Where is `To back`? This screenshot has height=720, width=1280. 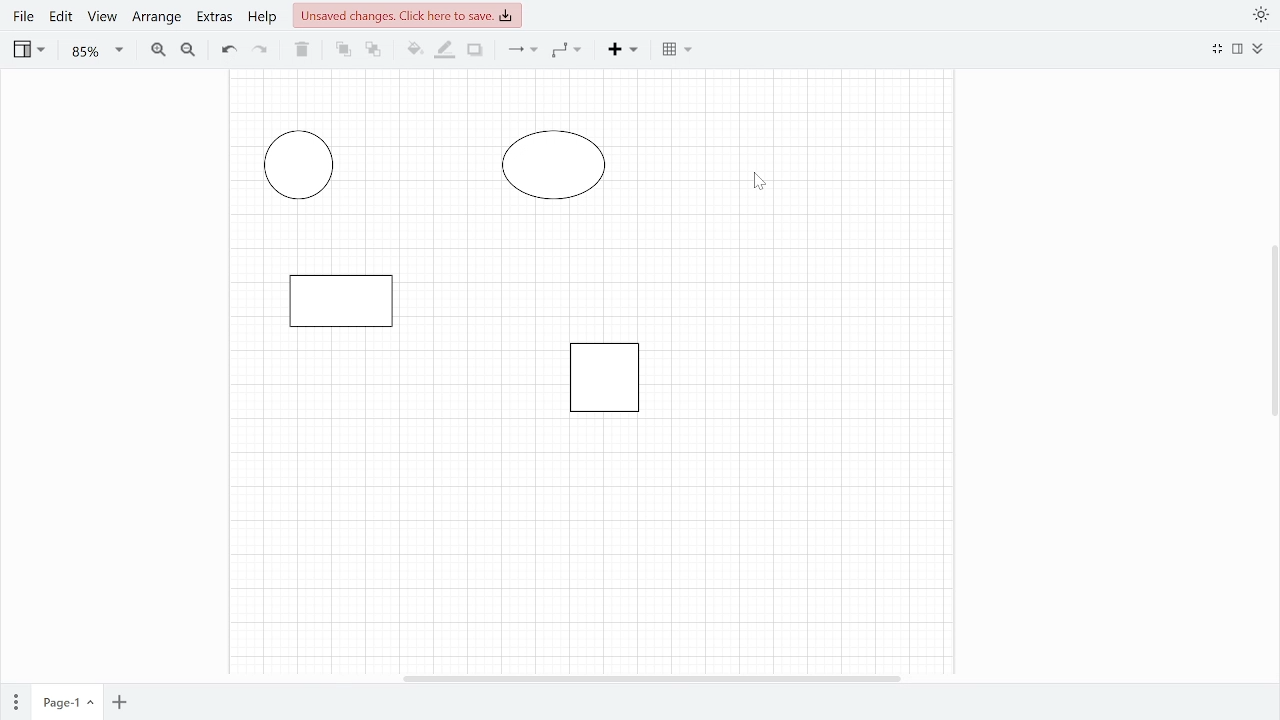
To back is located at coordinates (372, 49).